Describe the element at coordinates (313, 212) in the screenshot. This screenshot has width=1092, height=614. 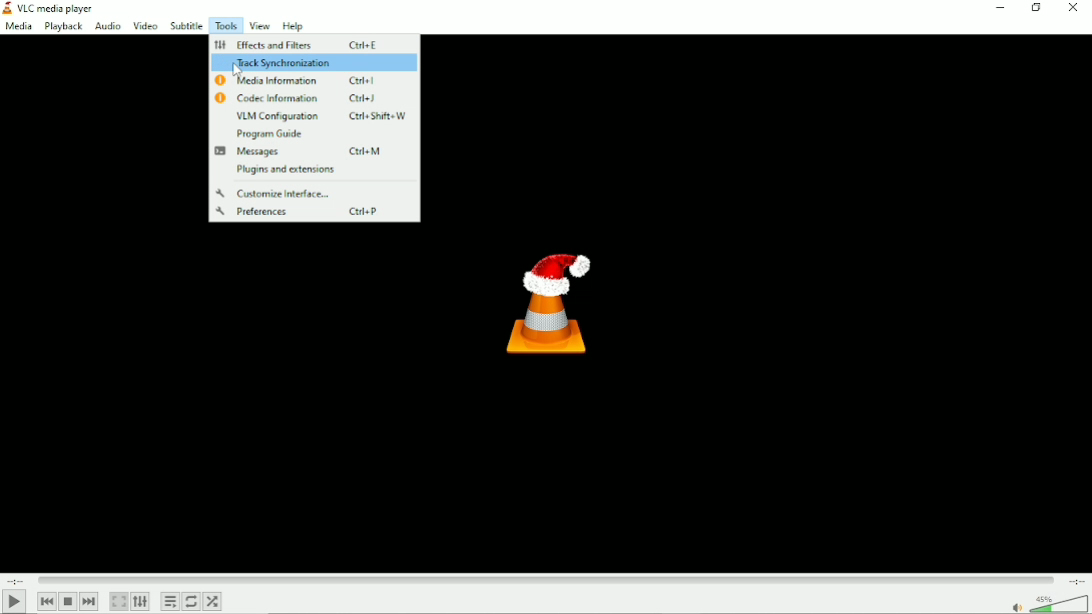
I see `Preferences` at that location.